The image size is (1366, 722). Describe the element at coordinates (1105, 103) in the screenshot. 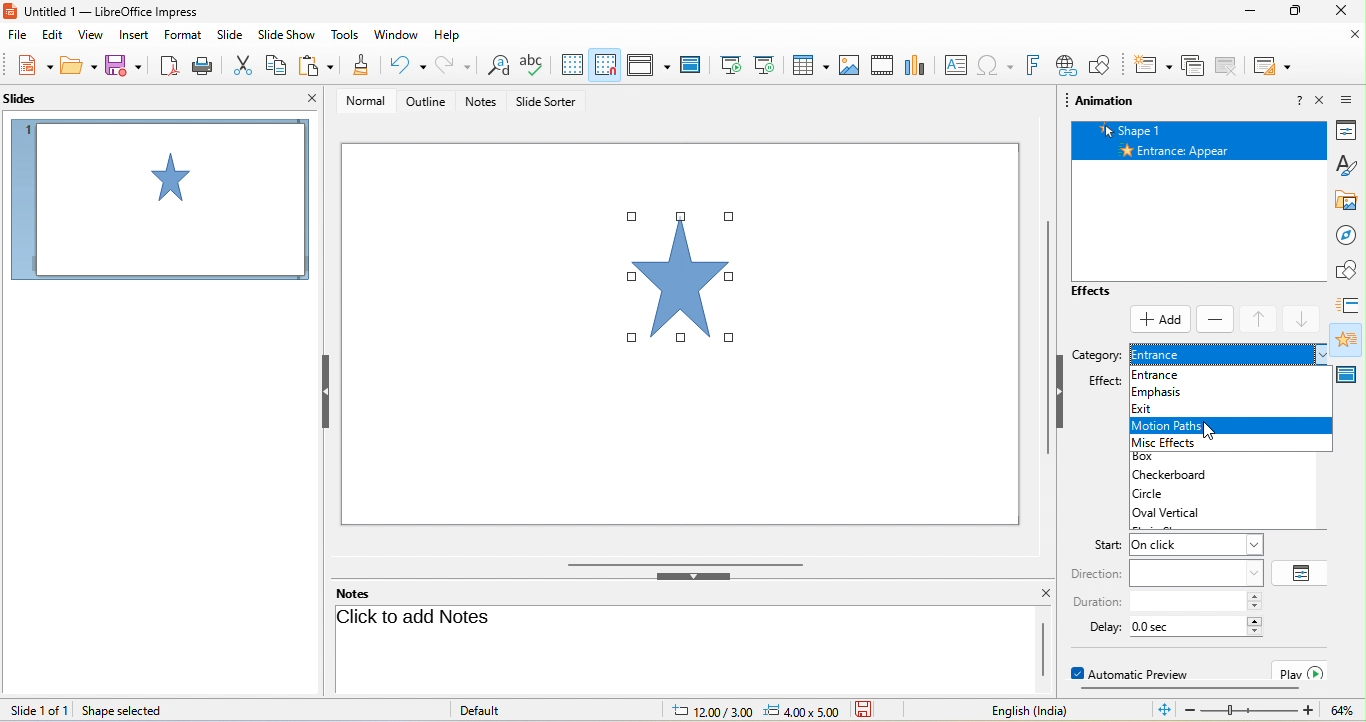

I see `animation` at that location.